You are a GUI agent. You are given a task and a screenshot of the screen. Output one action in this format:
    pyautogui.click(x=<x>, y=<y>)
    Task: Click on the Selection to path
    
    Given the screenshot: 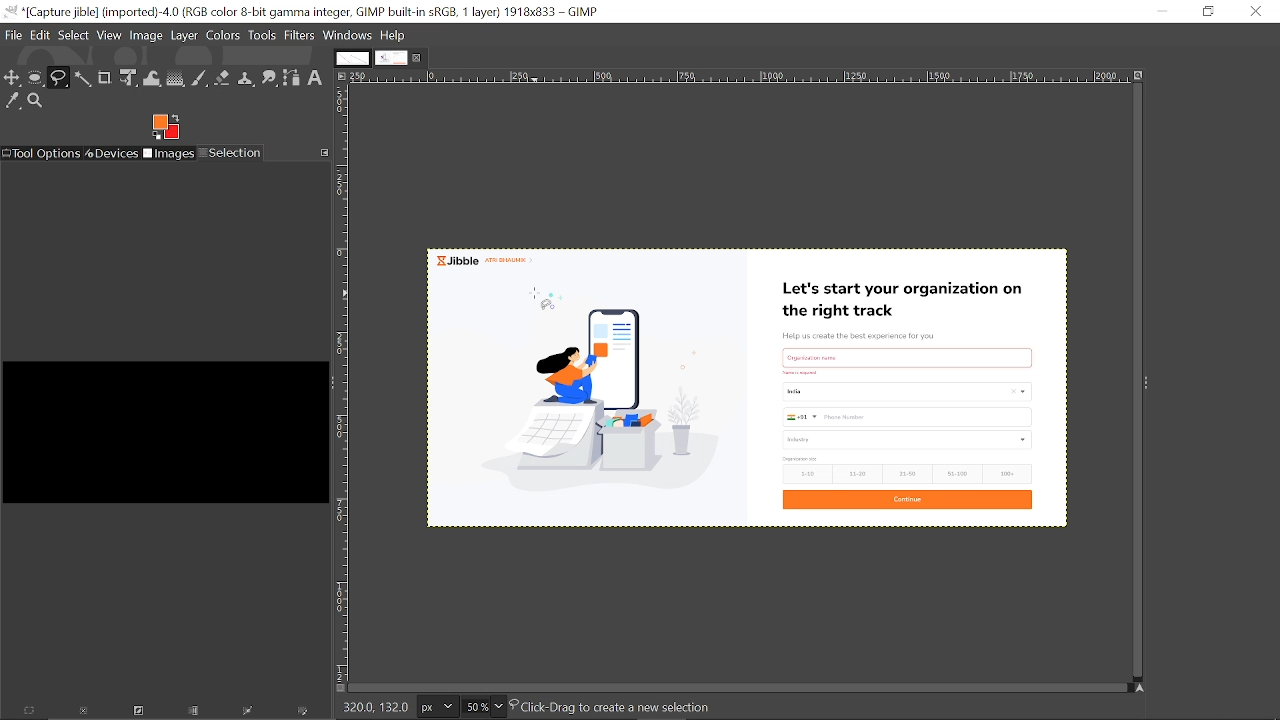 What is the action you would take?
    pyautogui.click(x=250, y=713)
    